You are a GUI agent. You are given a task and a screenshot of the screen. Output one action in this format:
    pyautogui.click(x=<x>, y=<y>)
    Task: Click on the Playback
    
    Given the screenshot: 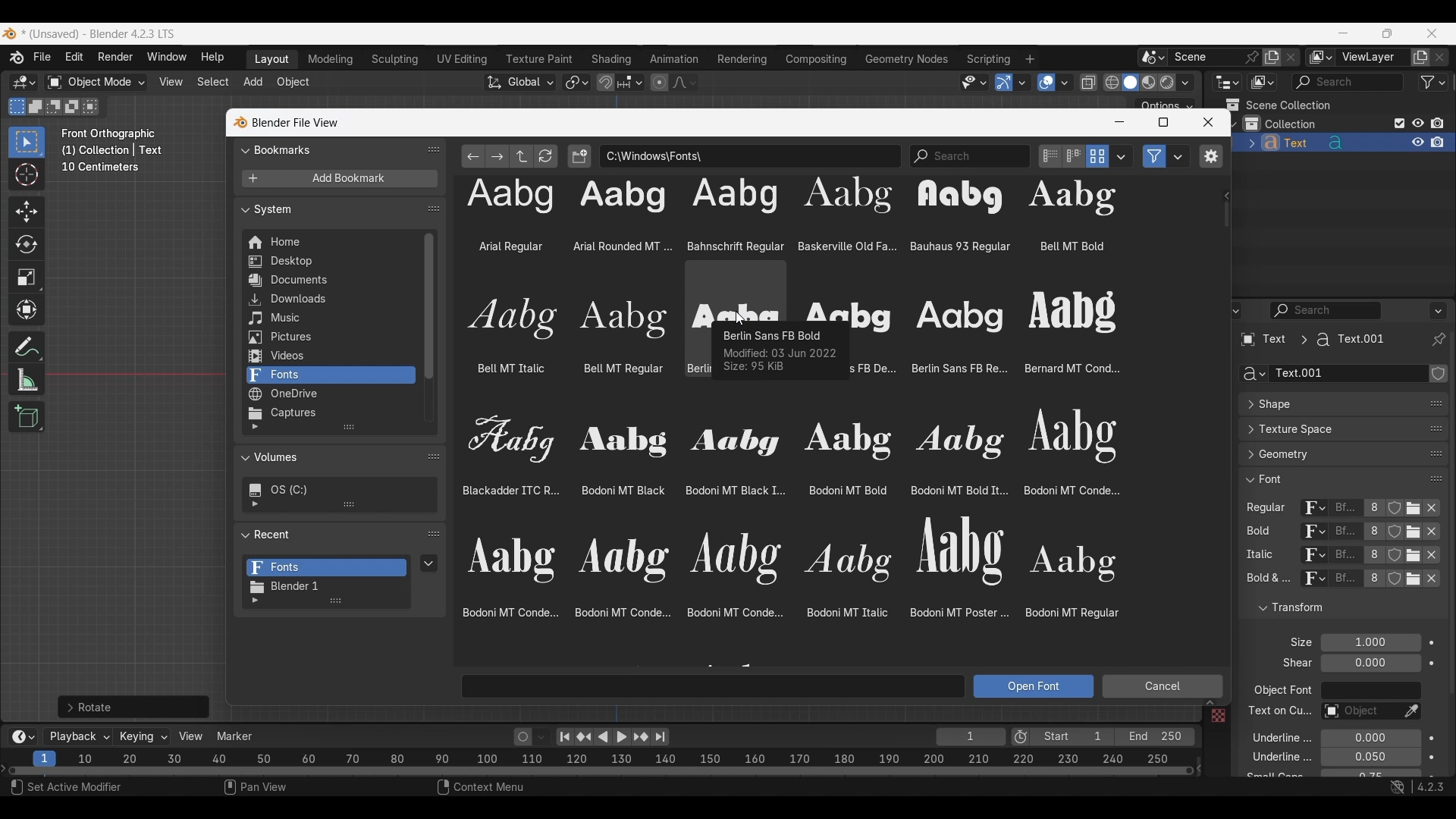 What is the action you would take?
    pyautogui.click(x=79, y=737)
    